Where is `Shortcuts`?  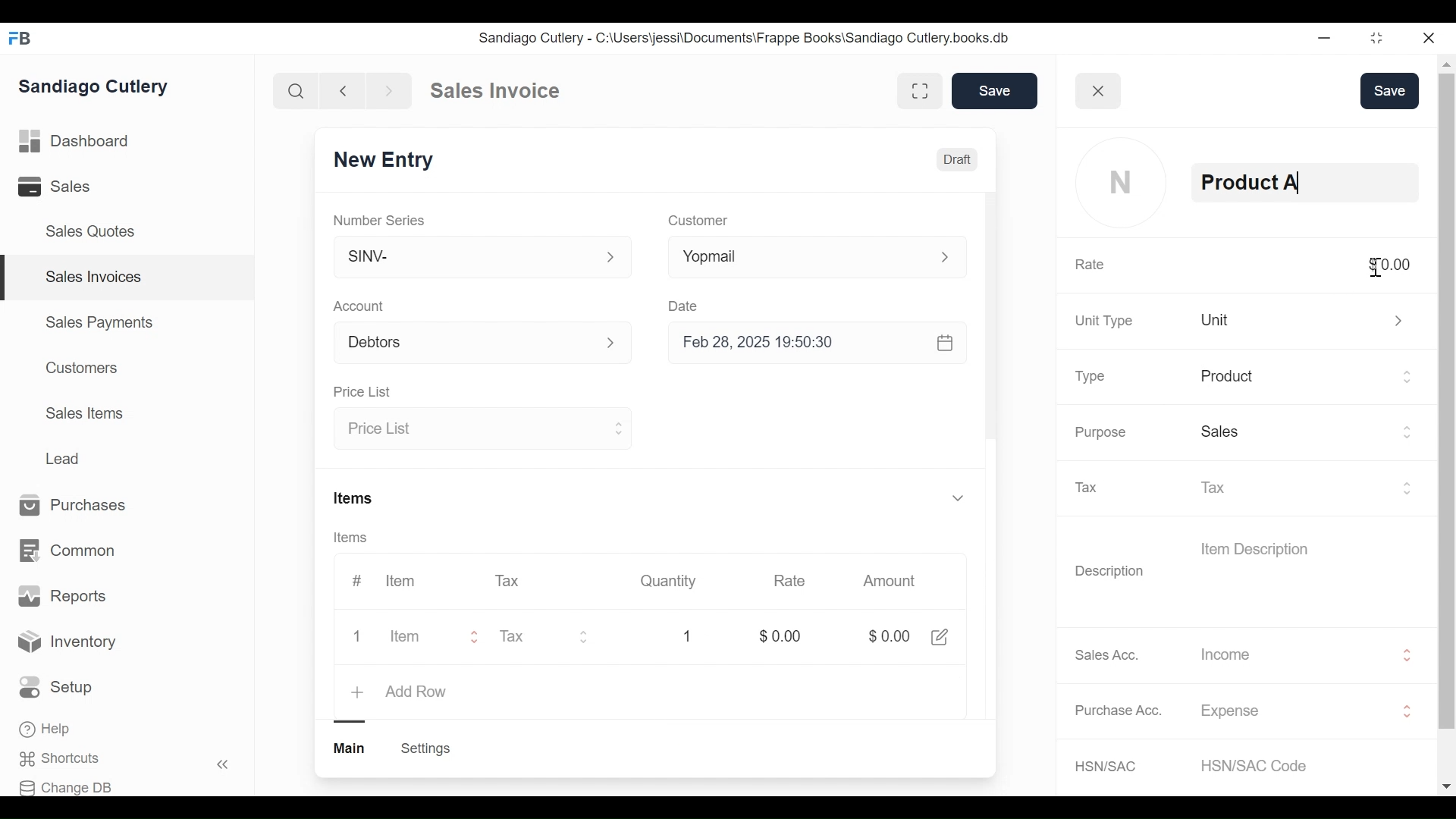
Shortcuts is located at coordinates (65, 759).